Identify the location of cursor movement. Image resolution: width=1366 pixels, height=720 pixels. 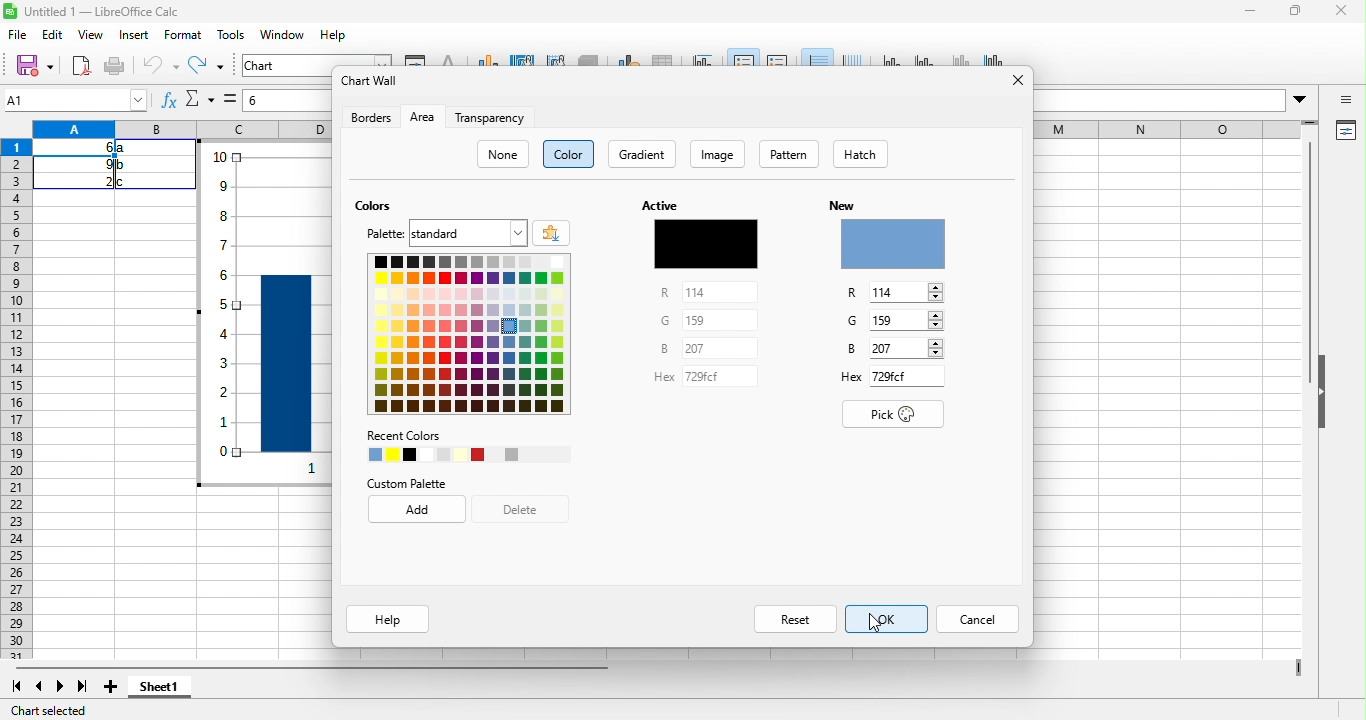
(881, 626).